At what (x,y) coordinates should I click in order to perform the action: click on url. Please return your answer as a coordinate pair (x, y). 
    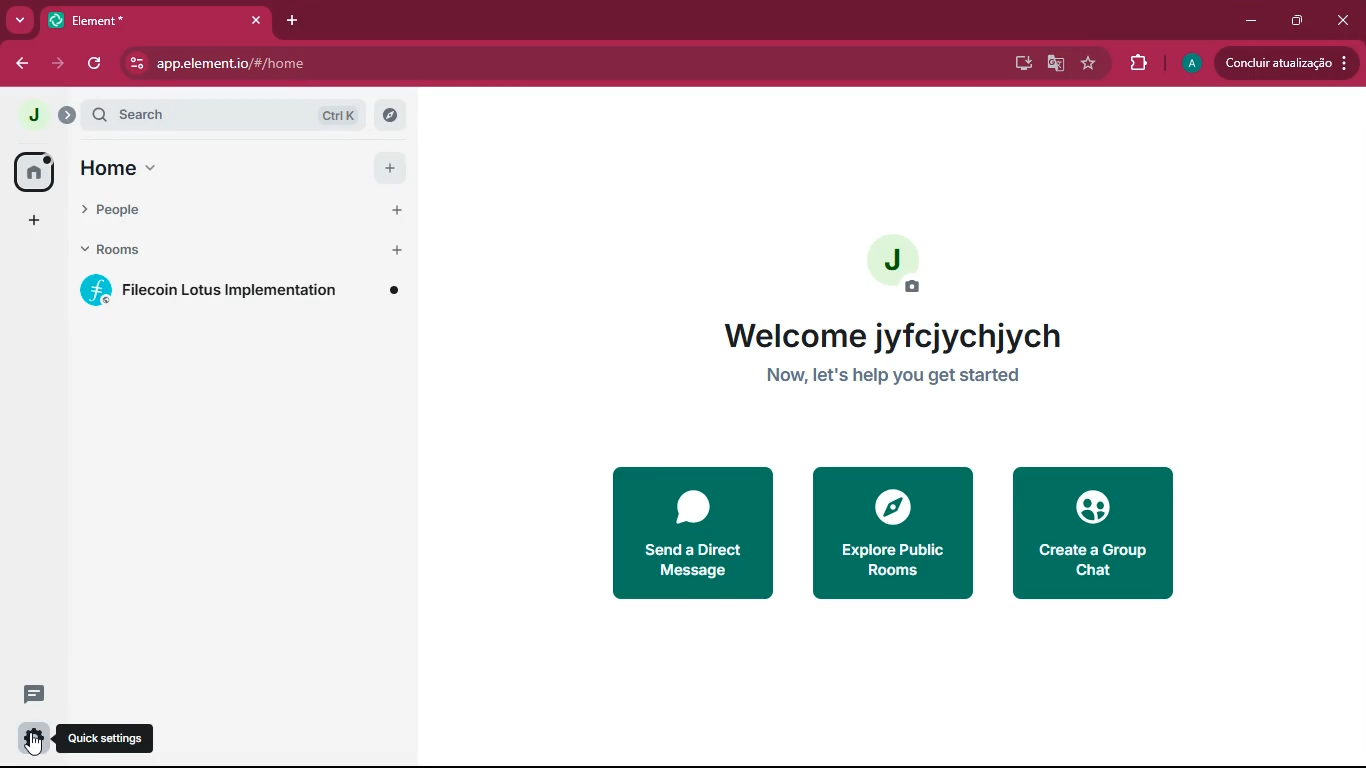
    Looking at the image, I should click on (300, 64).